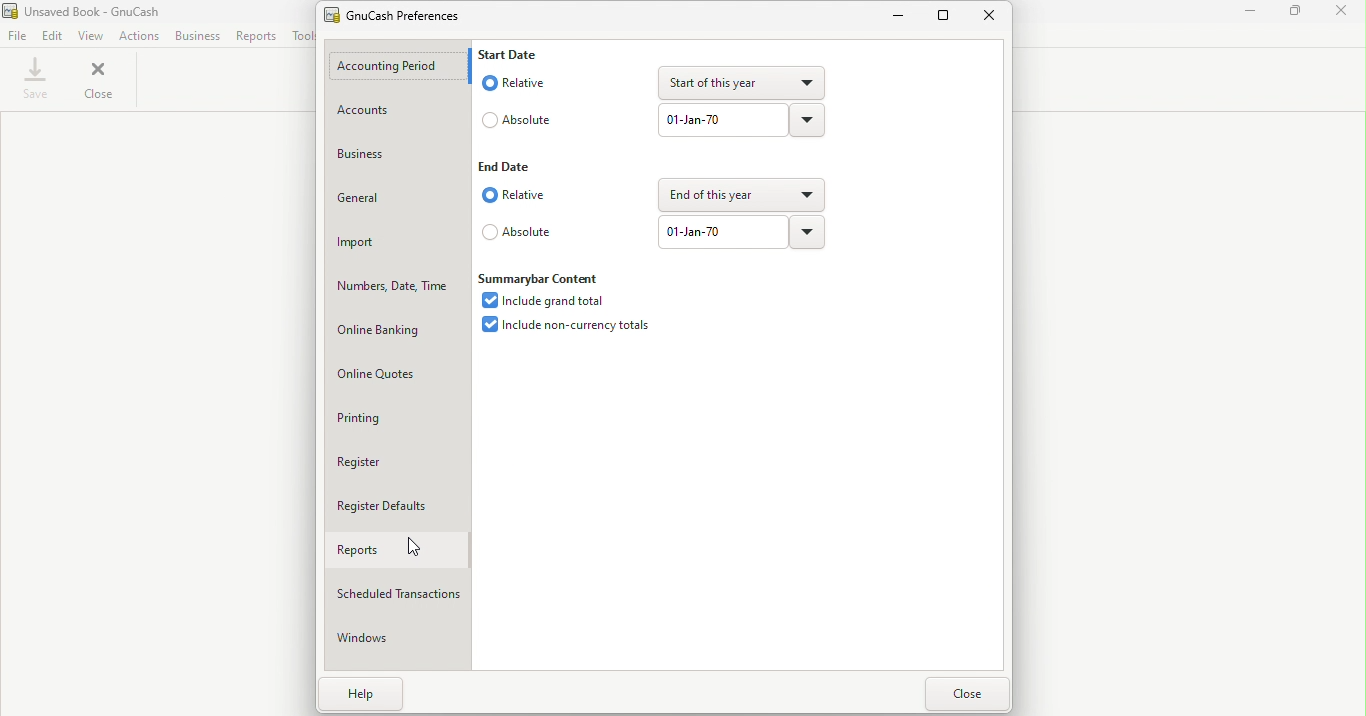  What do you see at coordinates (257, 35) in the screenshot?
I see `Reports` at bounding box center [257, 35].